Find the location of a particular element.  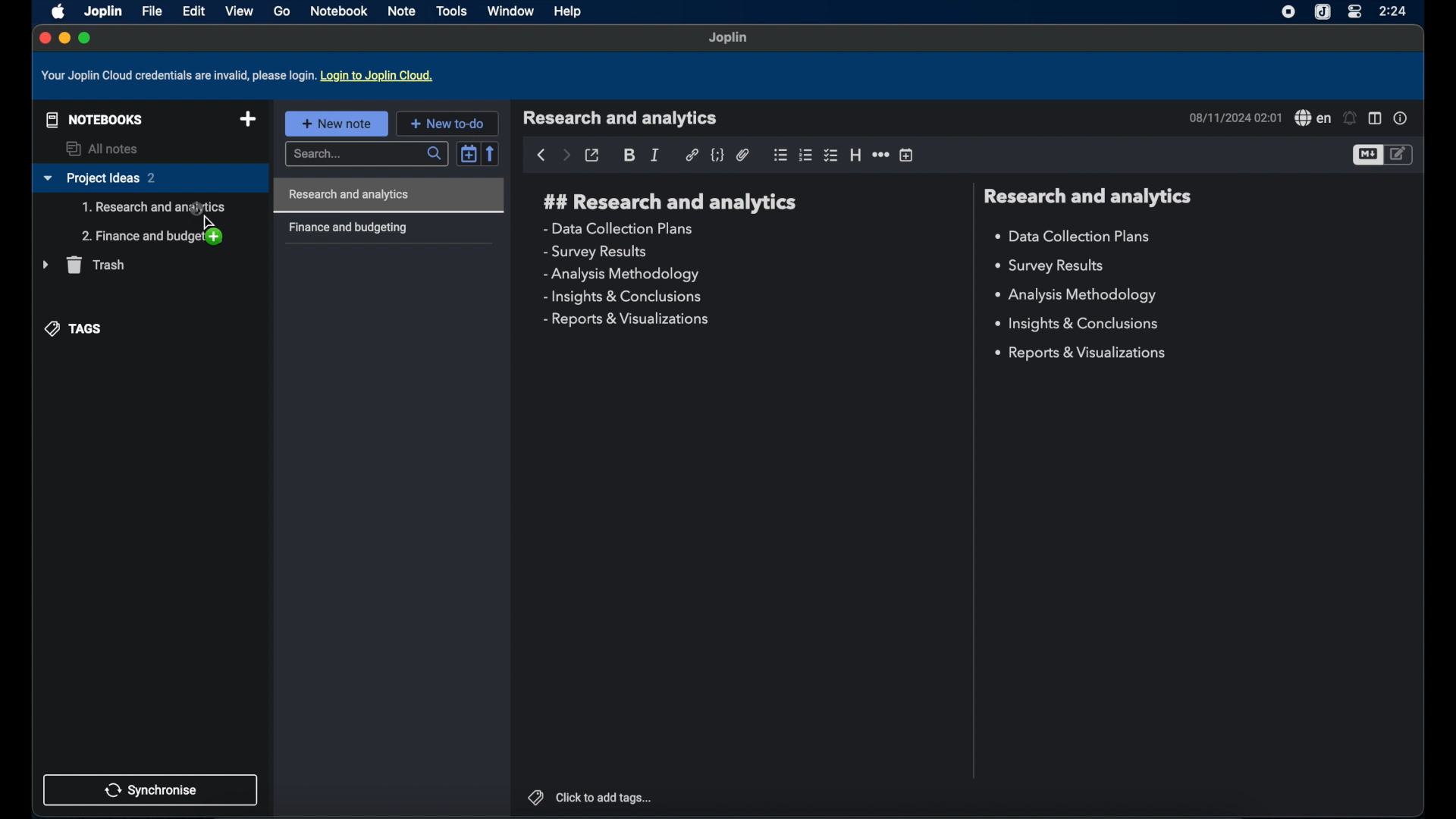

new notebook is located at coordinates (248, 120).